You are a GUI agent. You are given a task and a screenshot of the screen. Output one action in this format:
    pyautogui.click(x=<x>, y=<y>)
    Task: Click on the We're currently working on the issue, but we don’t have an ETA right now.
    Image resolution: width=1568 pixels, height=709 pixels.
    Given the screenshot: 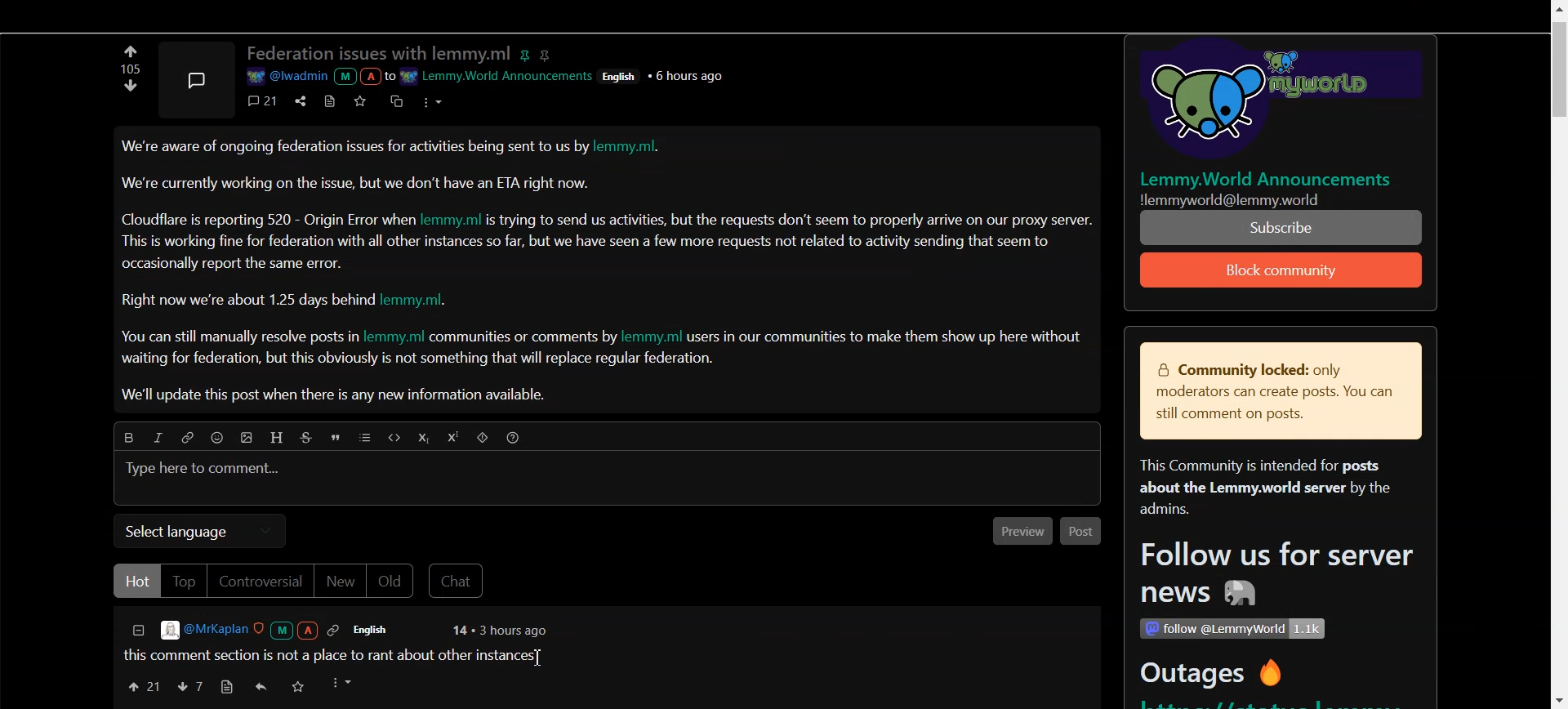 What is the action you would take?
    pyautogui.click(x=357, y=183)
    